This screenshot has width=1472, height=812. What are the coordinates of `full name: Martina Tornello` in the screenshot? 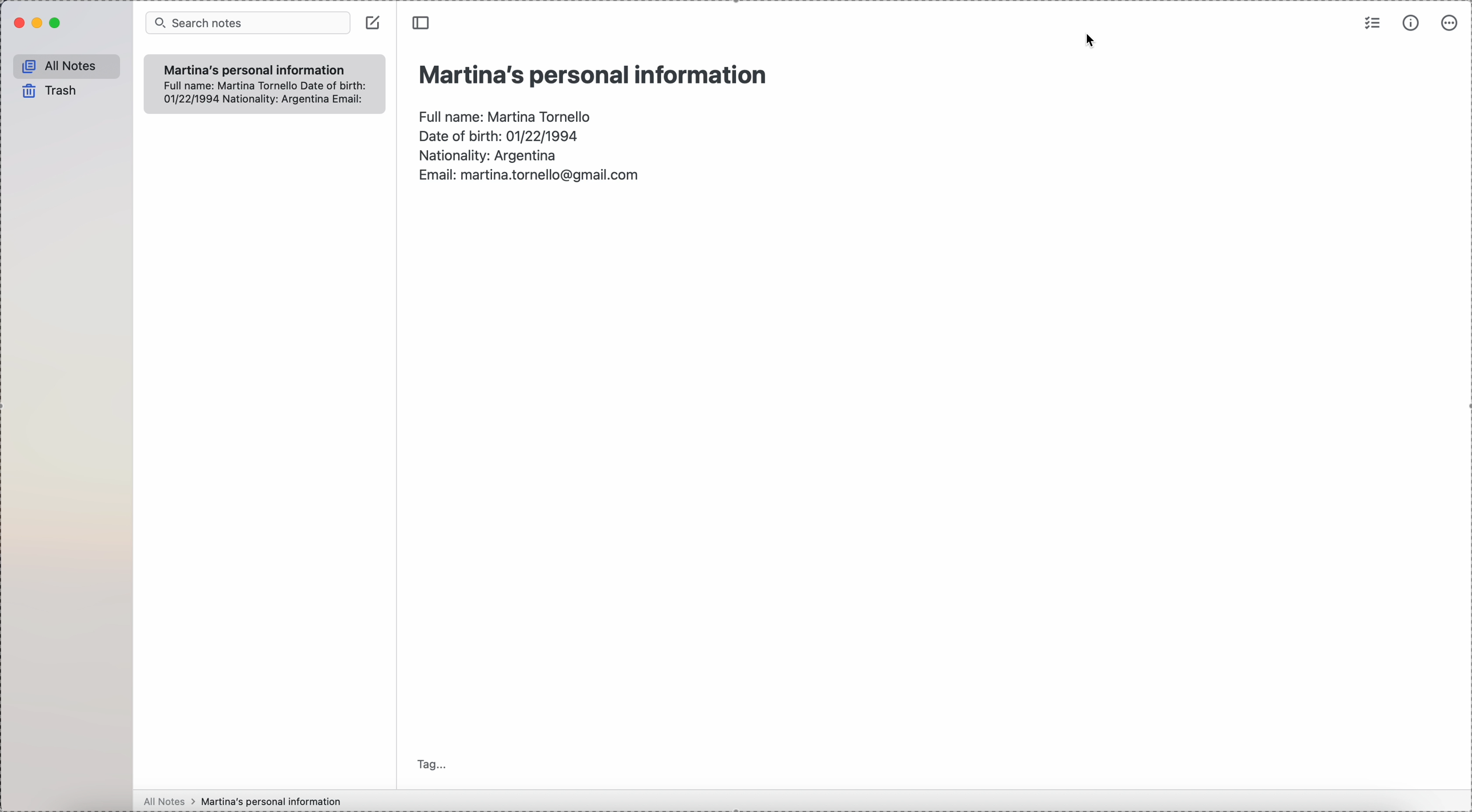 It's located at (507, 114).